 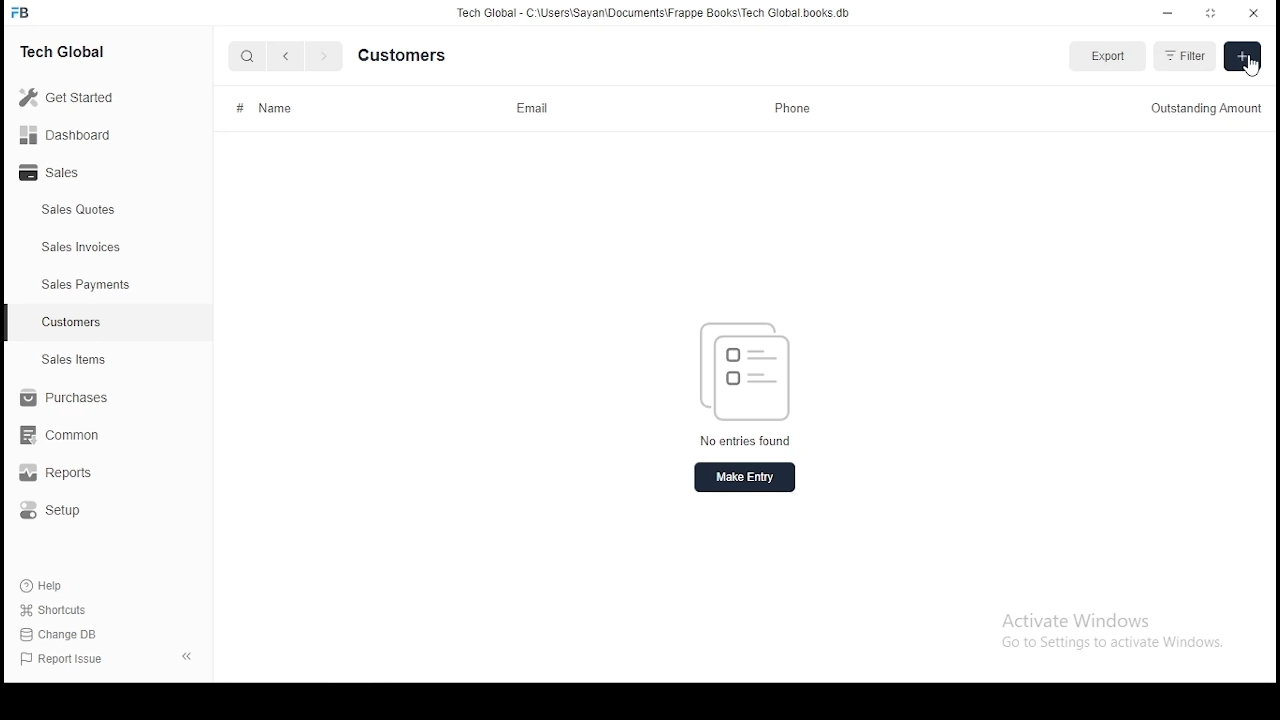 I want to click on make entry, so click(x=745, y=476).